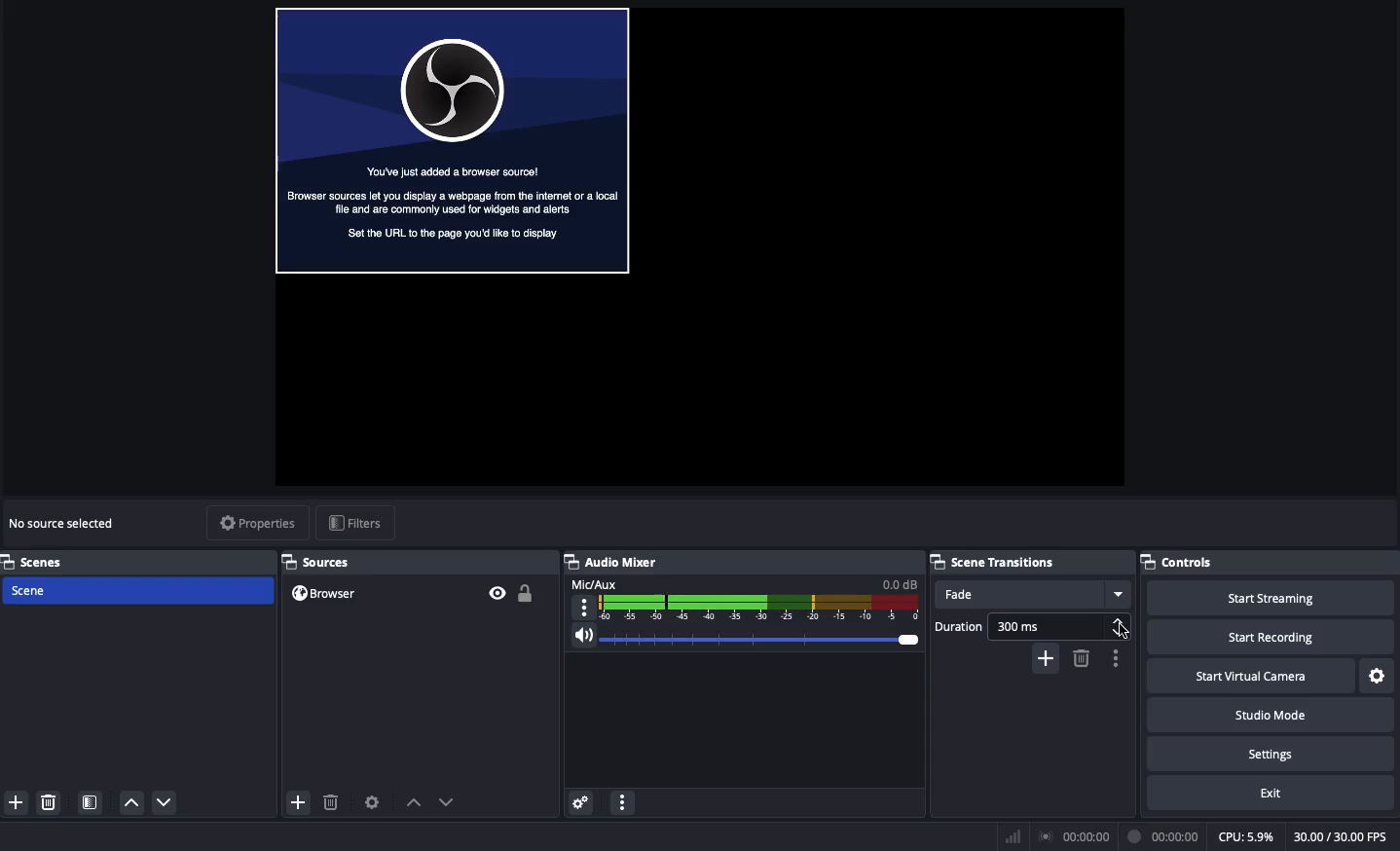 Image resolution: width=1400 pixels, height=851 pixels. I want to click on Exit, so click(1270, 793).